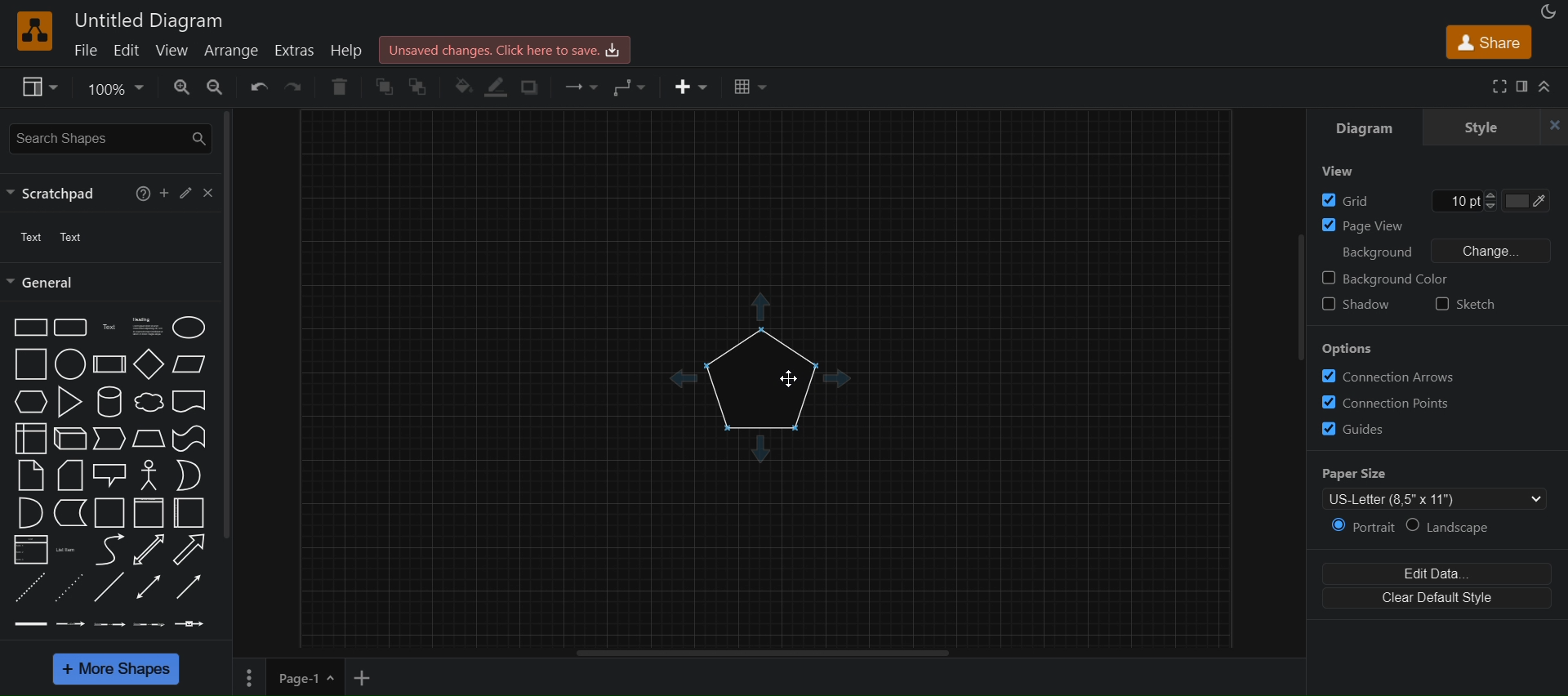 The height and width of the screenshot is (696, 1568). I want to click on Move left, so click(683, 378).